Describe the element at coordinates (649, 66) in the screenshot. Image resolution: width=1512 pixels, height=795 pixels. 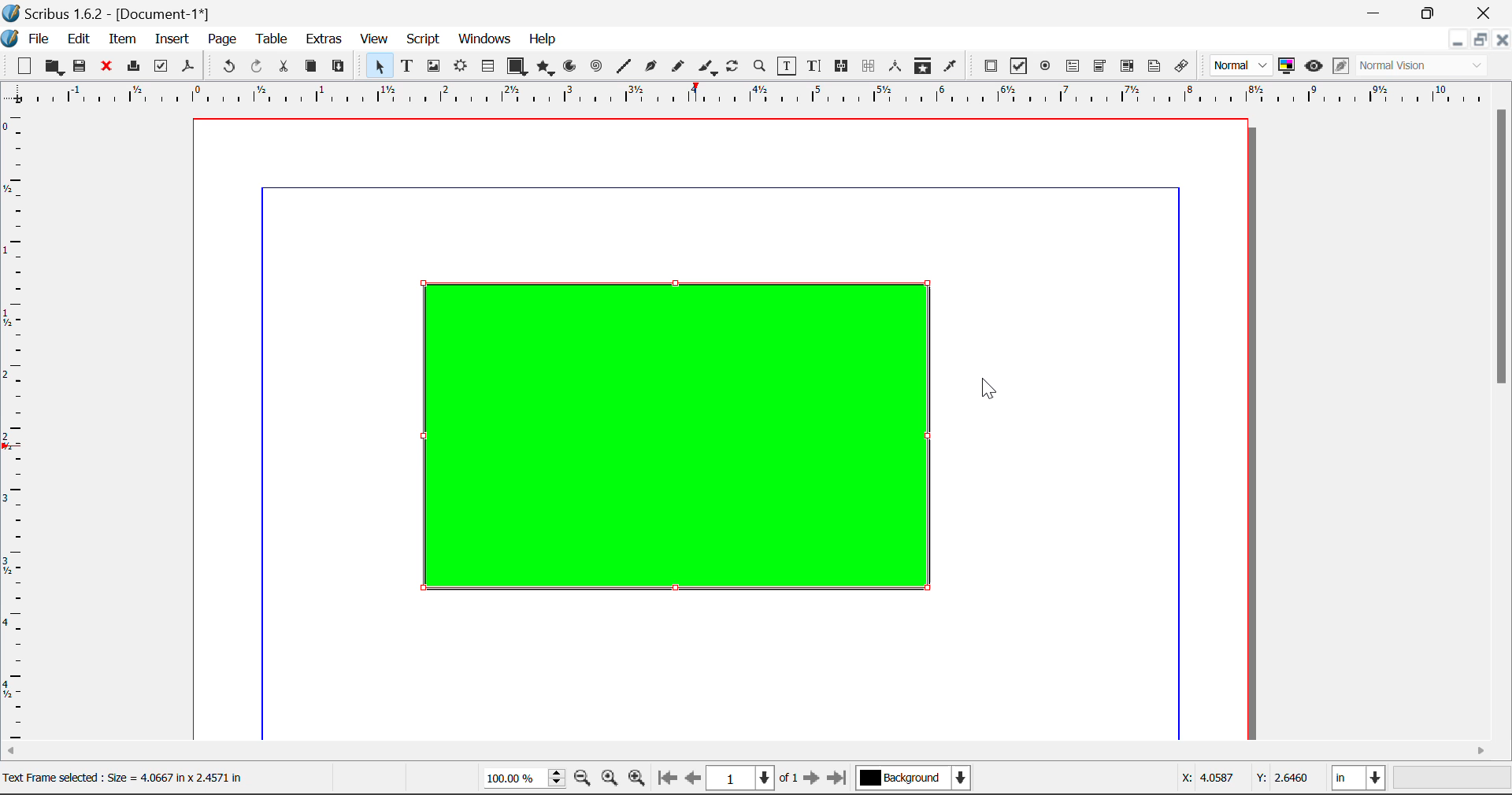
I see `Bezier Curve` at that location.